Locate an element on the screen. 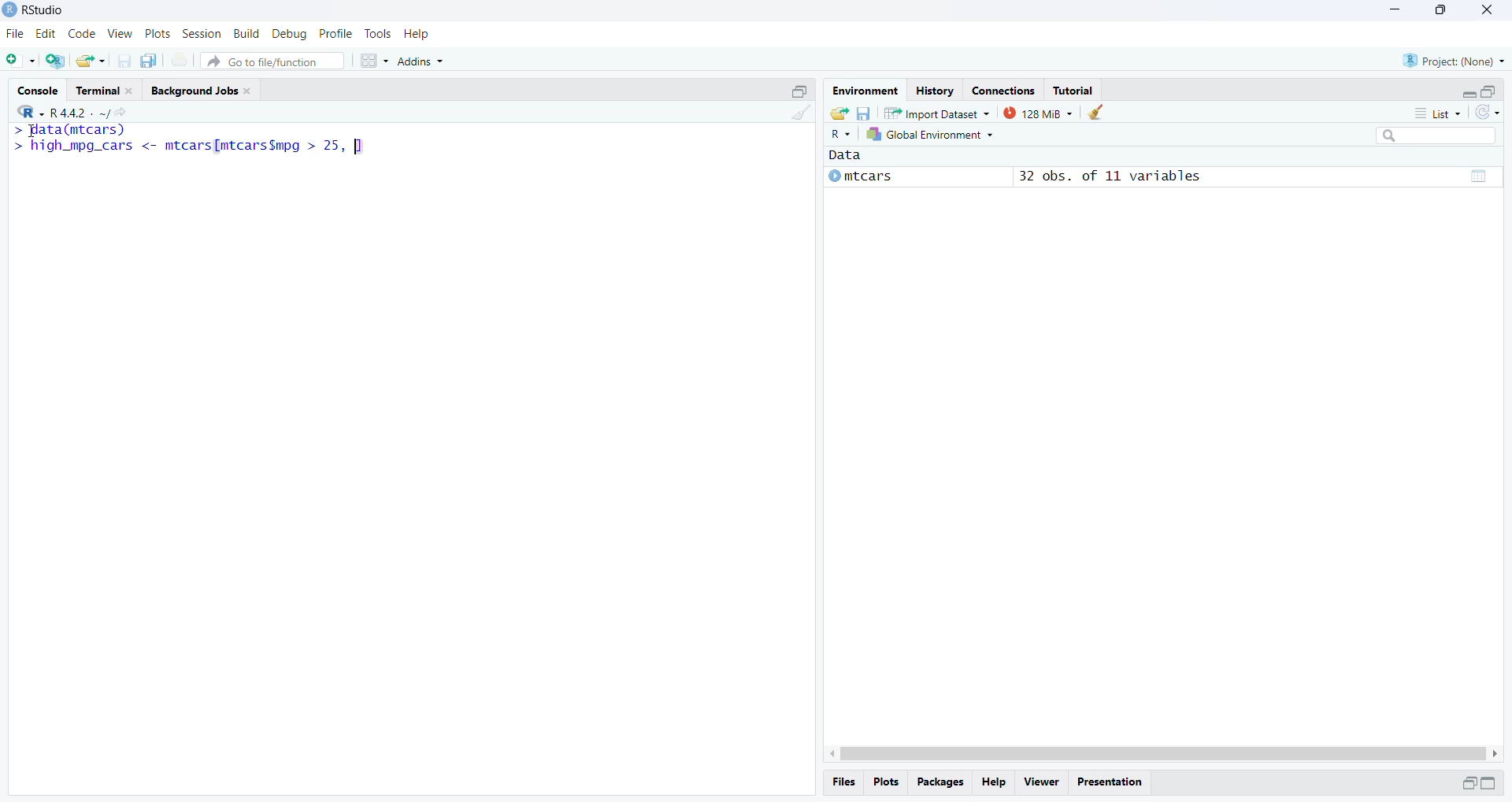 This screenshot has height=802, width=1512. RStudio is located at coordinates (43, 9).